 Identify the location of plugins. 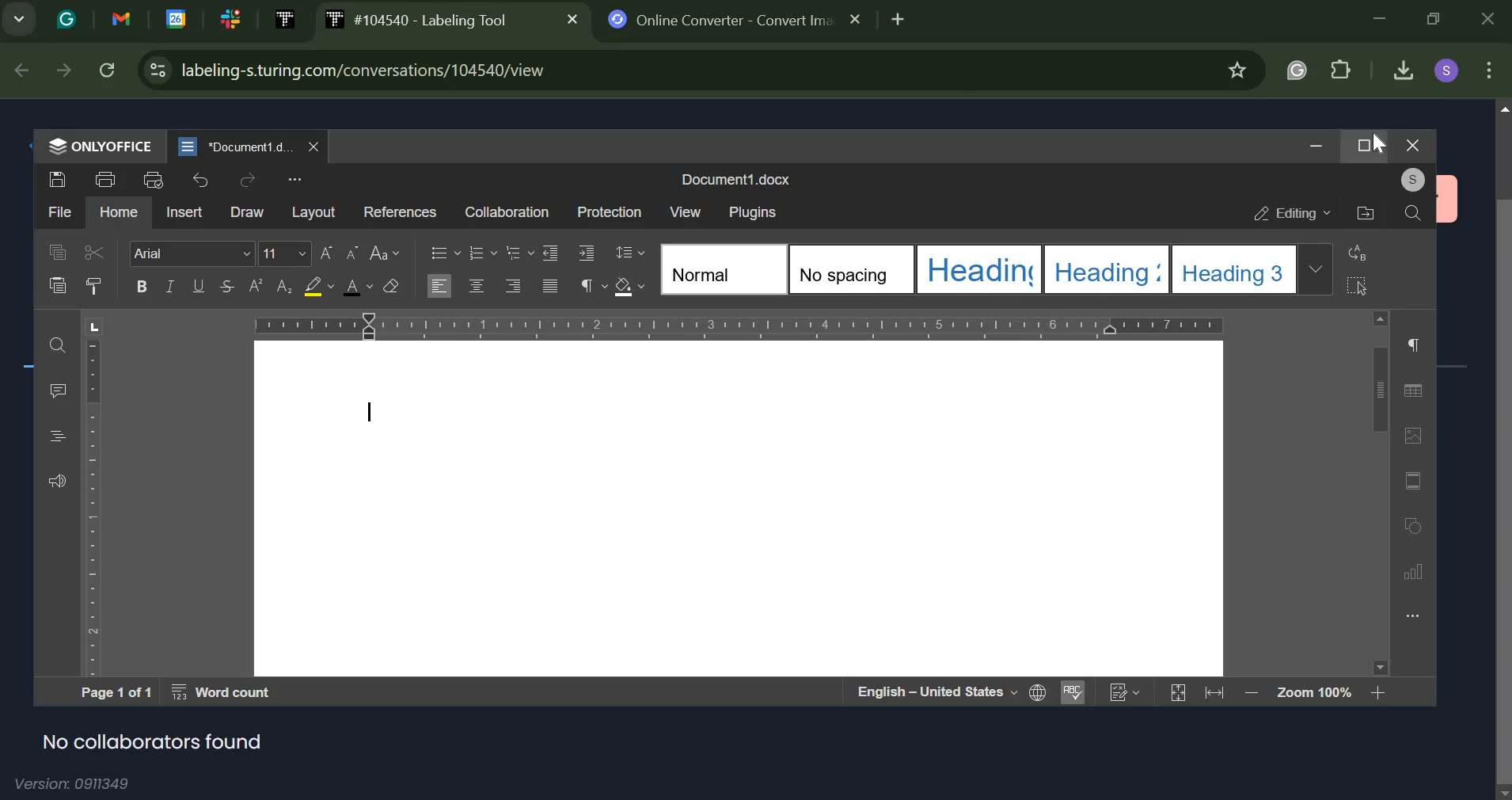
(751, 212).